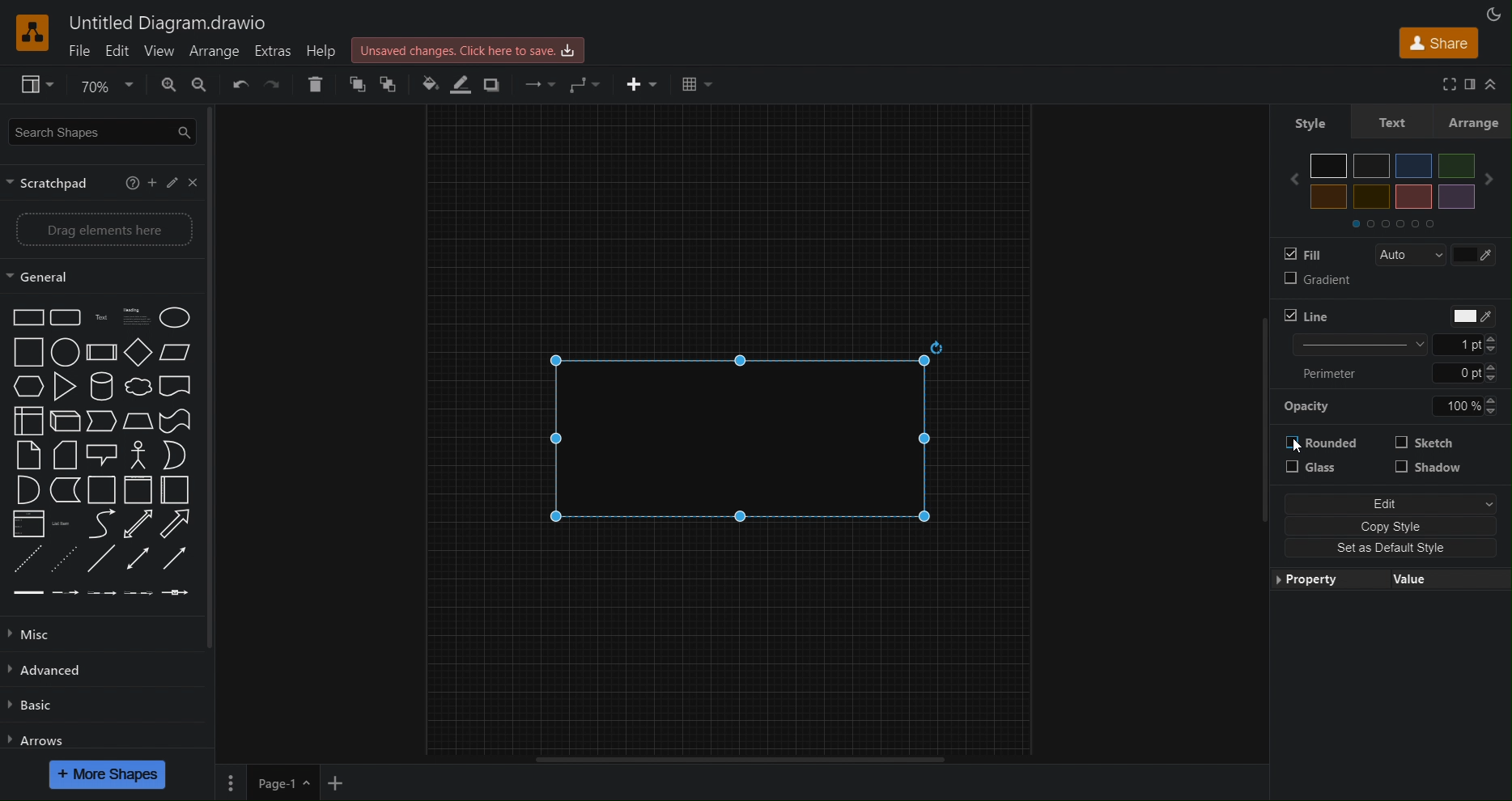  What do you see at coordinates (1500, 173) in the screenshot?
I see `next` at bounding box center [1500, 173].